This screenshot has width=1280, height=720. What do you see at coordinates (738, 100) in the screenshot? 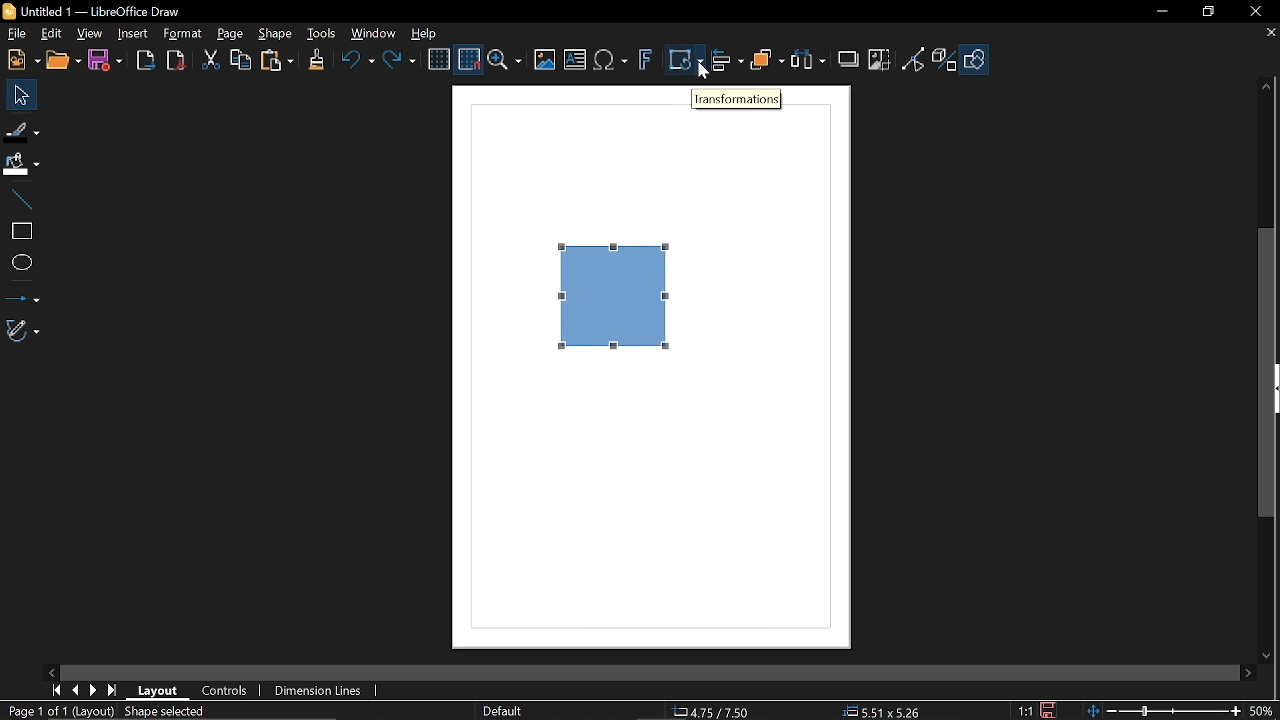
I see `Transformation` at bounding box center [738, 100].